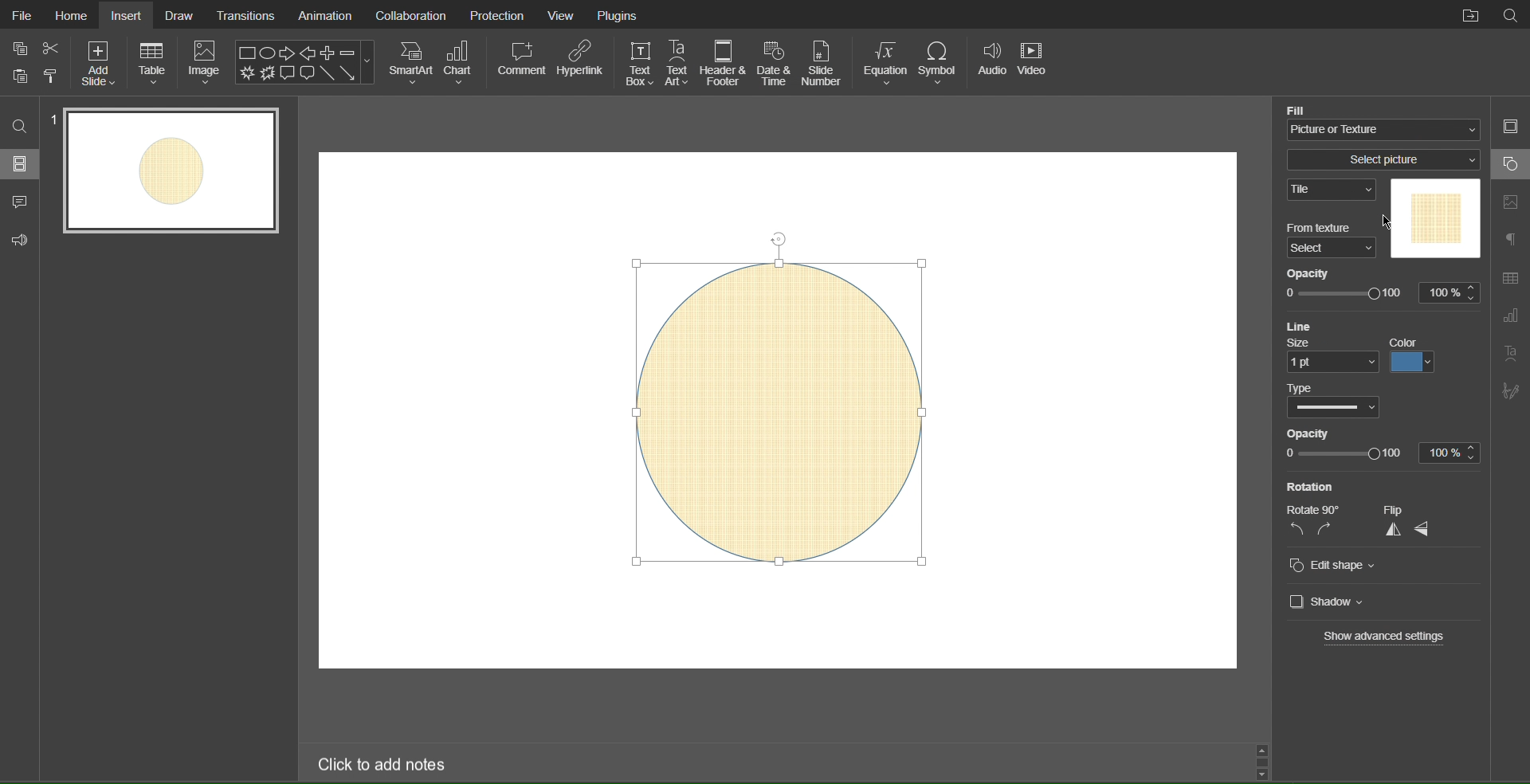 The width and height of the screenshot is (1530, 784). Describe the element at coordinates (885, 63) in the screenshot. I see `Equation` at that location.